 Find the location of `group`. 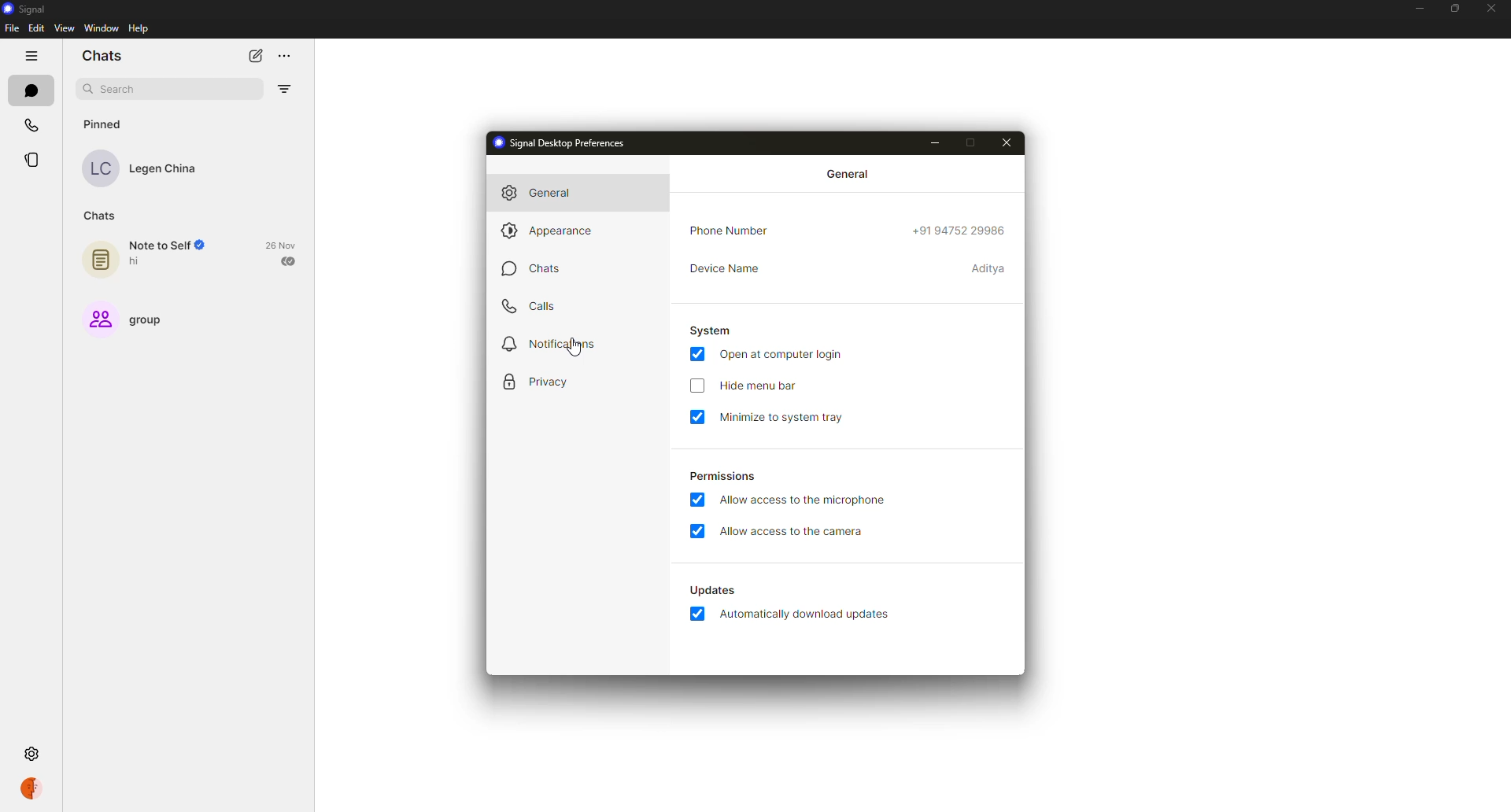

group is located at coordinates (130, 318).